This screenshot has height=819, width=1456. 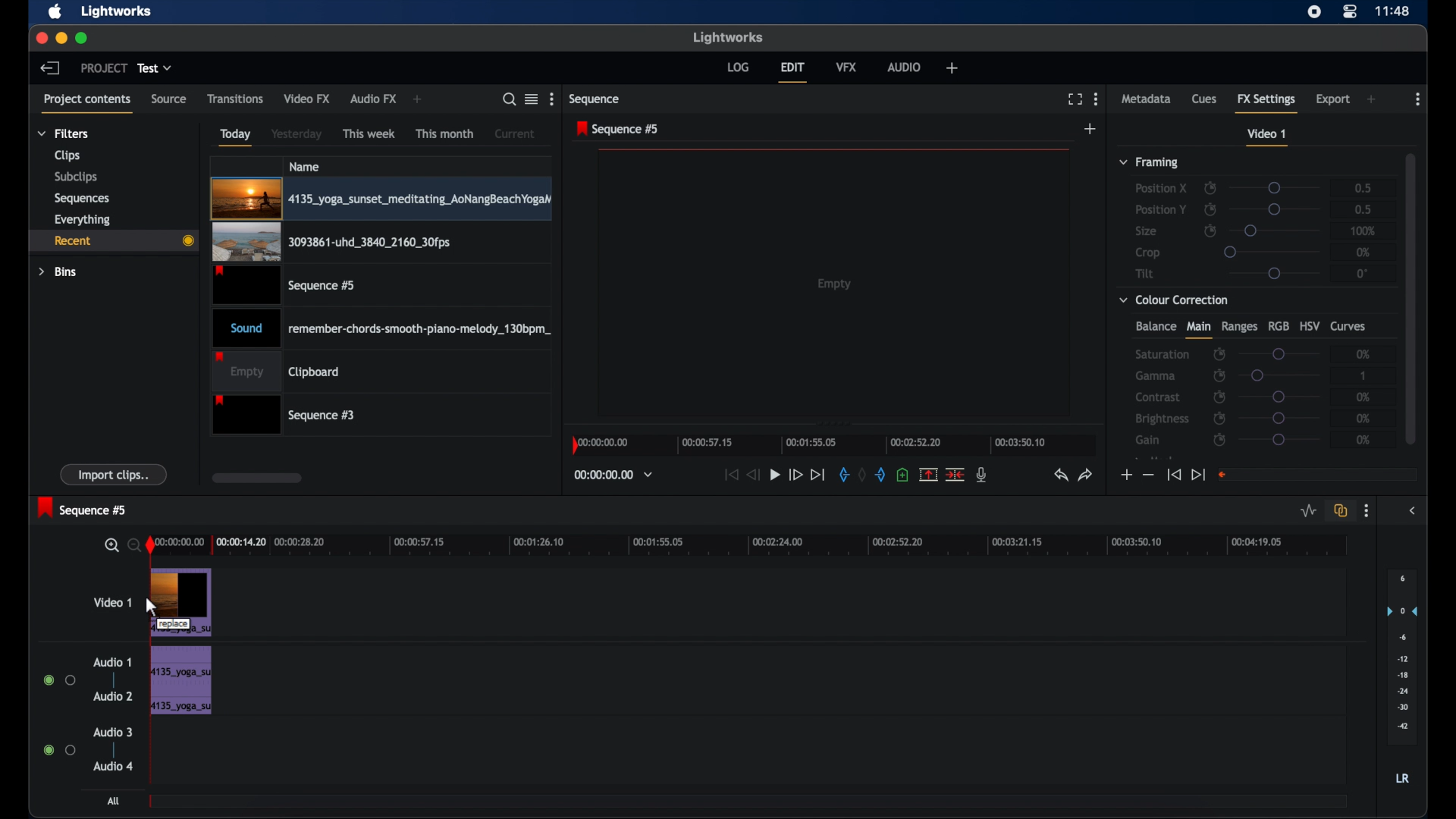 I want to click on source, so click(x=169, y=99).